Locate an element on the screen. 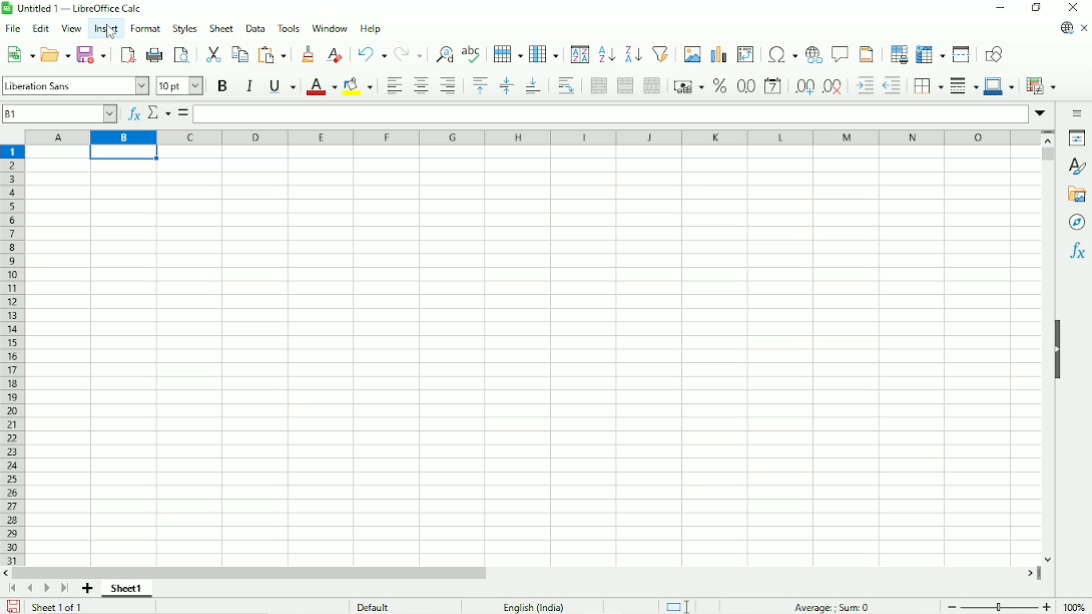 This screenshot has height=614, width=1092. Gallery is located at coordinates (1077, 195).